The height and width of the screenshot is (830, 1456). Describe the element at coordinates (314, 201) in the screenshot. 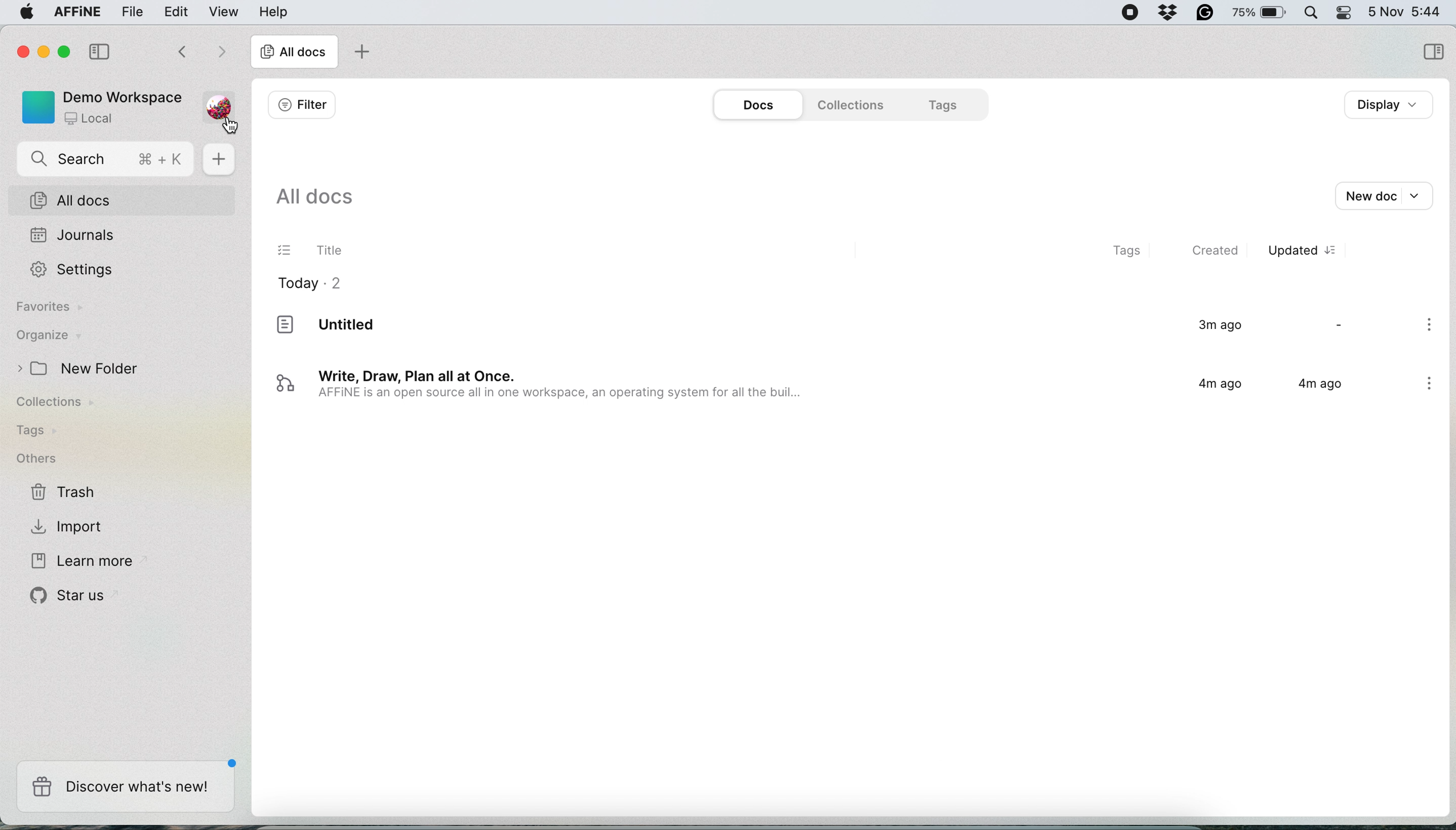

I see `all docs` at that location.